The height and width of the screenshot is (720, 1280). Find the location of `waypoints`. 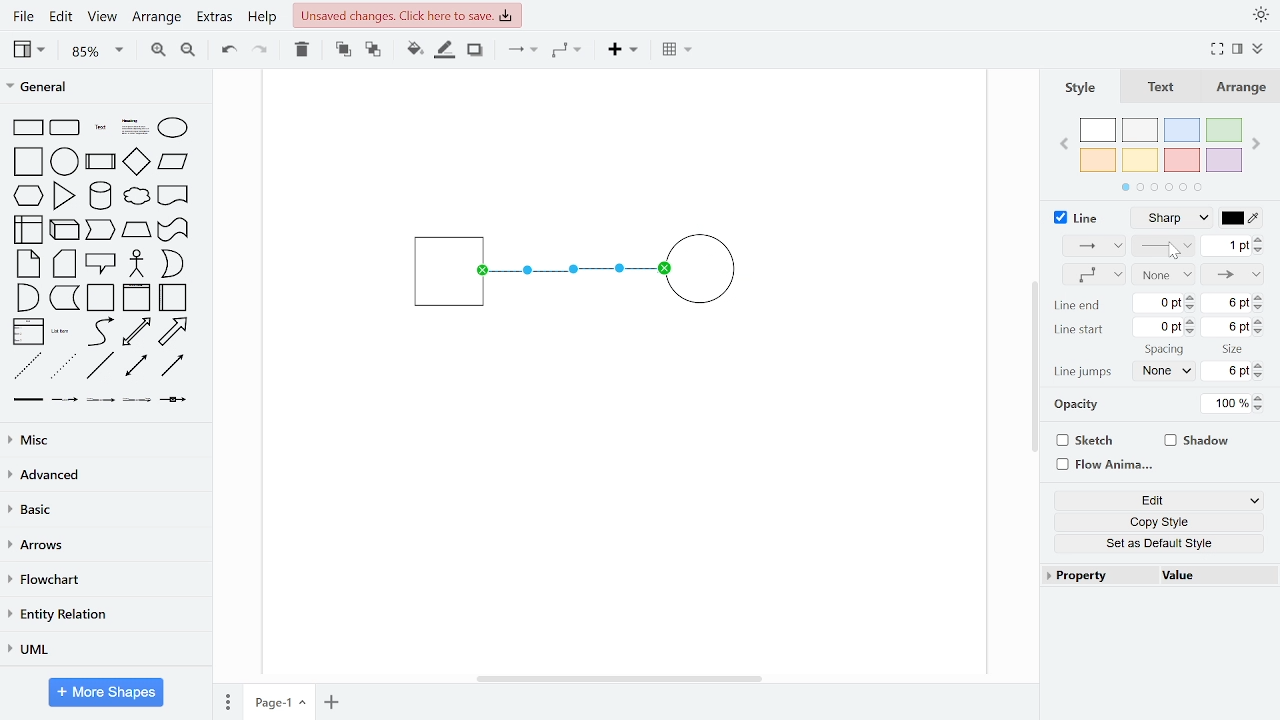

waypoints is located at coordinates (572, 50).